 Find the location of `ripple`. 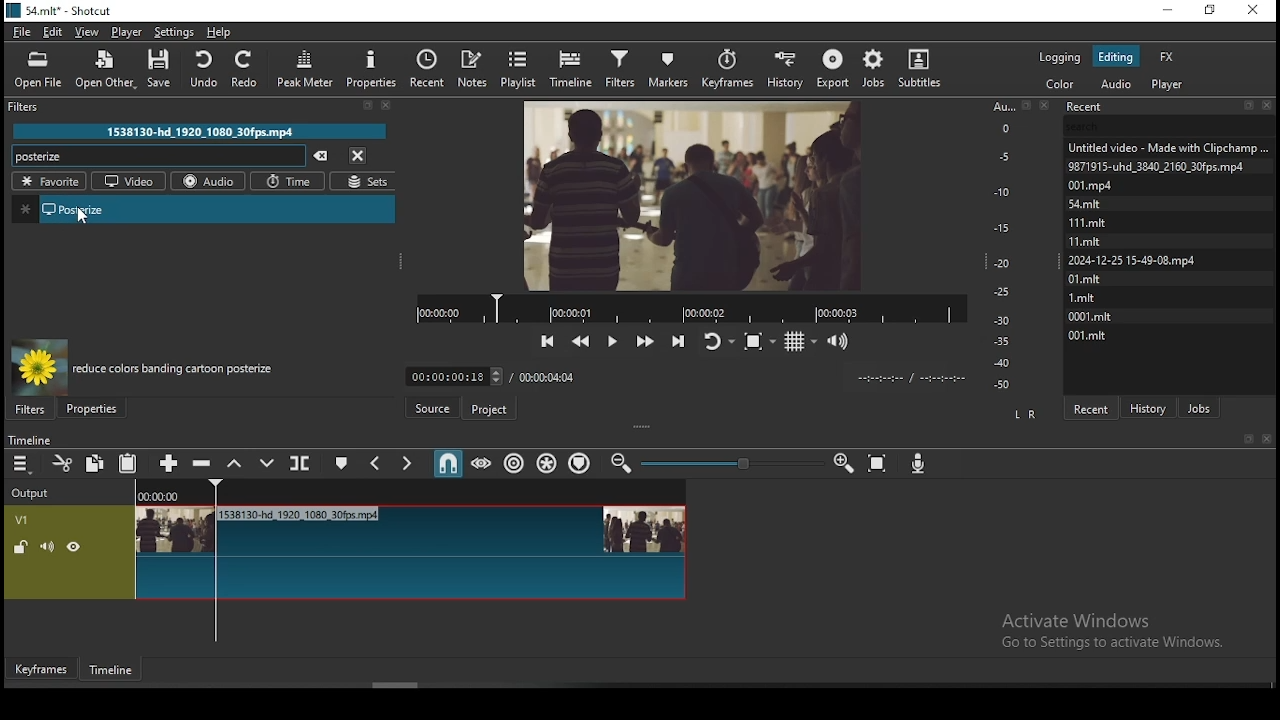

ripple is located at coordinates (512, 464).